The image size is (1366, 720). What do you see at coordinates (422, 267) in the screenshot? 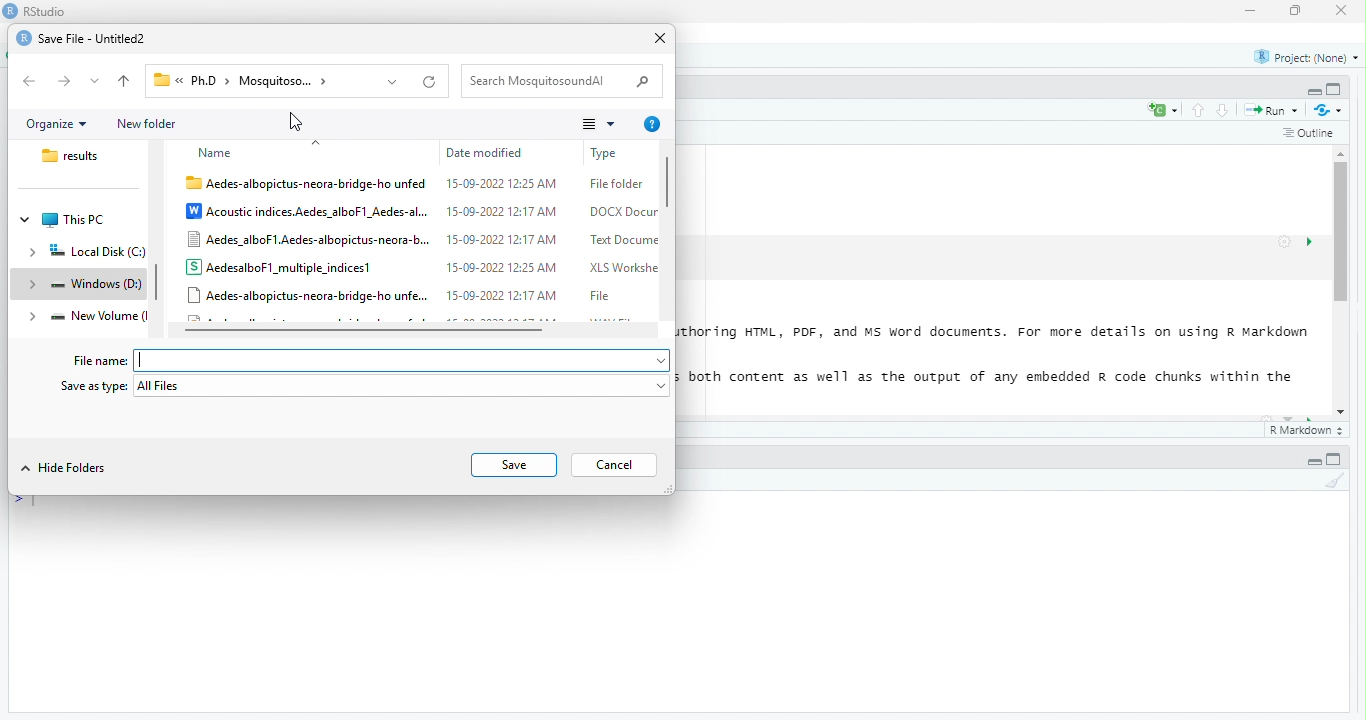
I see `AedesalboF1_multiple_indices1 15-09-2022 1225AM XLS Worksheet` at bounding box center [422, 267].